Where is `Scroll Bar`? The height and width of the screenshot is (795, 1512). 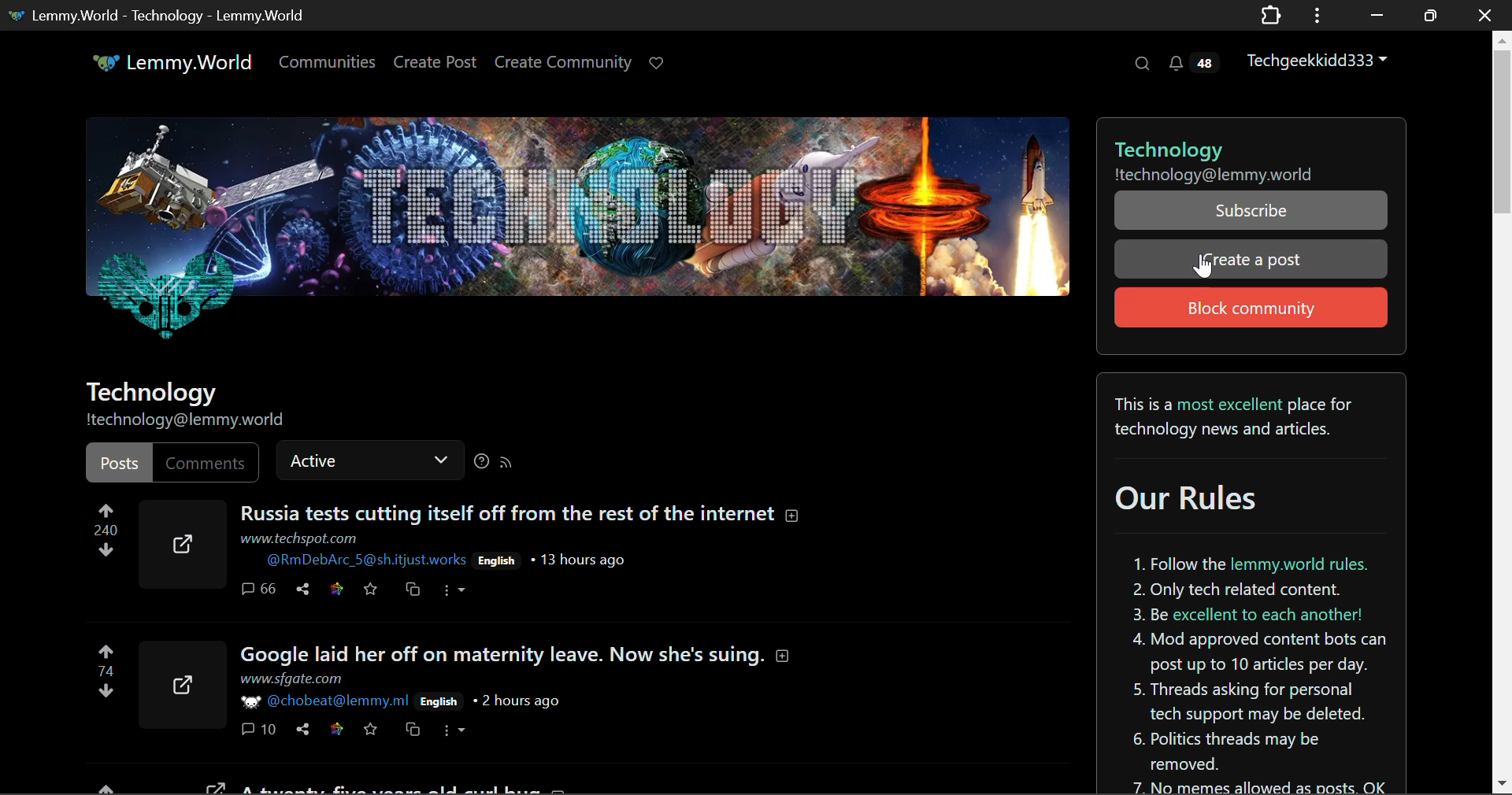 Scroll Bar is located at coordinates (1503, 409).